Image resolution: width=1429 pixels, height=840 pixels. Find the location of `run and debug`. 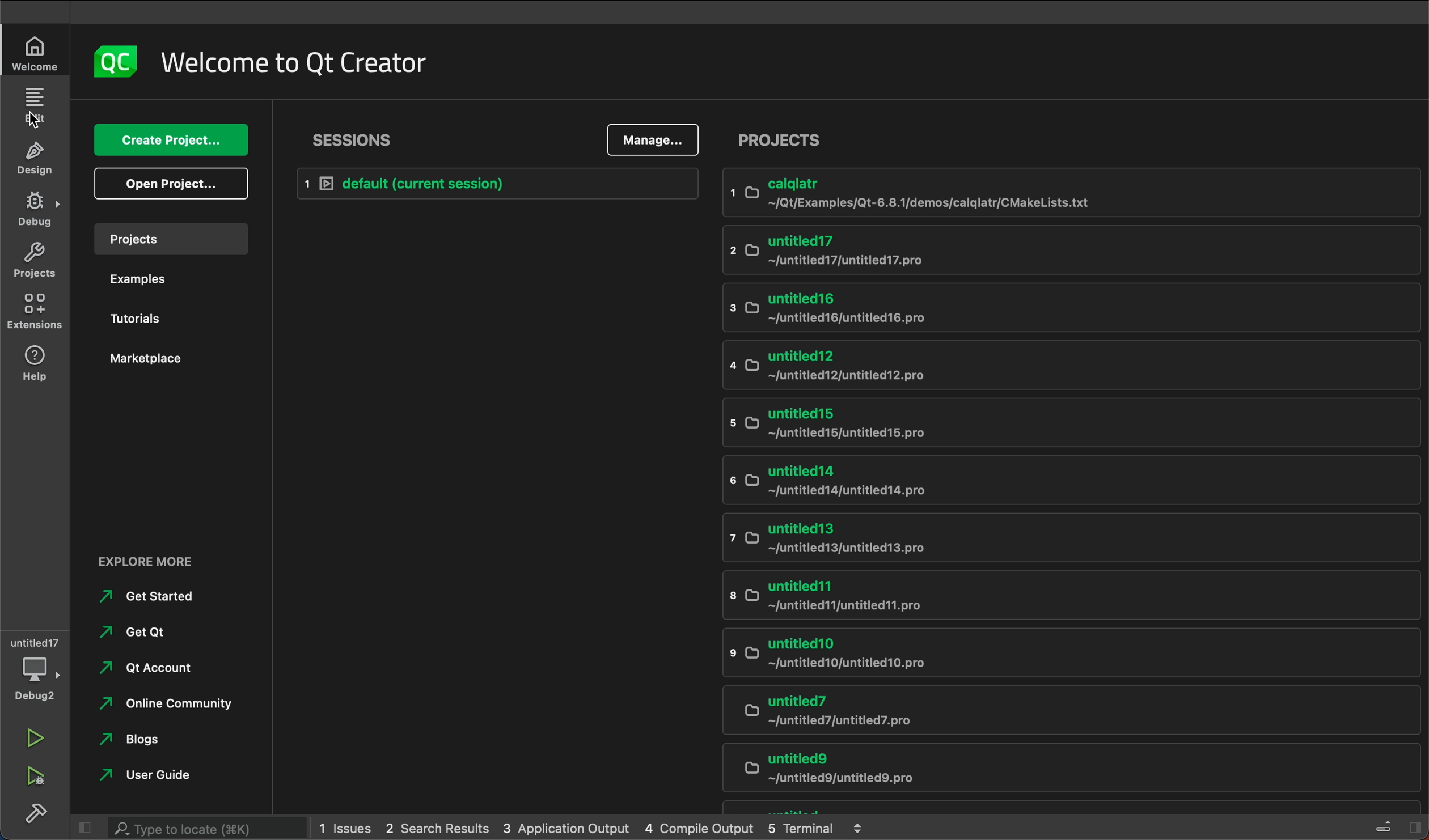

run and debug is located at coordinates (40, 773).